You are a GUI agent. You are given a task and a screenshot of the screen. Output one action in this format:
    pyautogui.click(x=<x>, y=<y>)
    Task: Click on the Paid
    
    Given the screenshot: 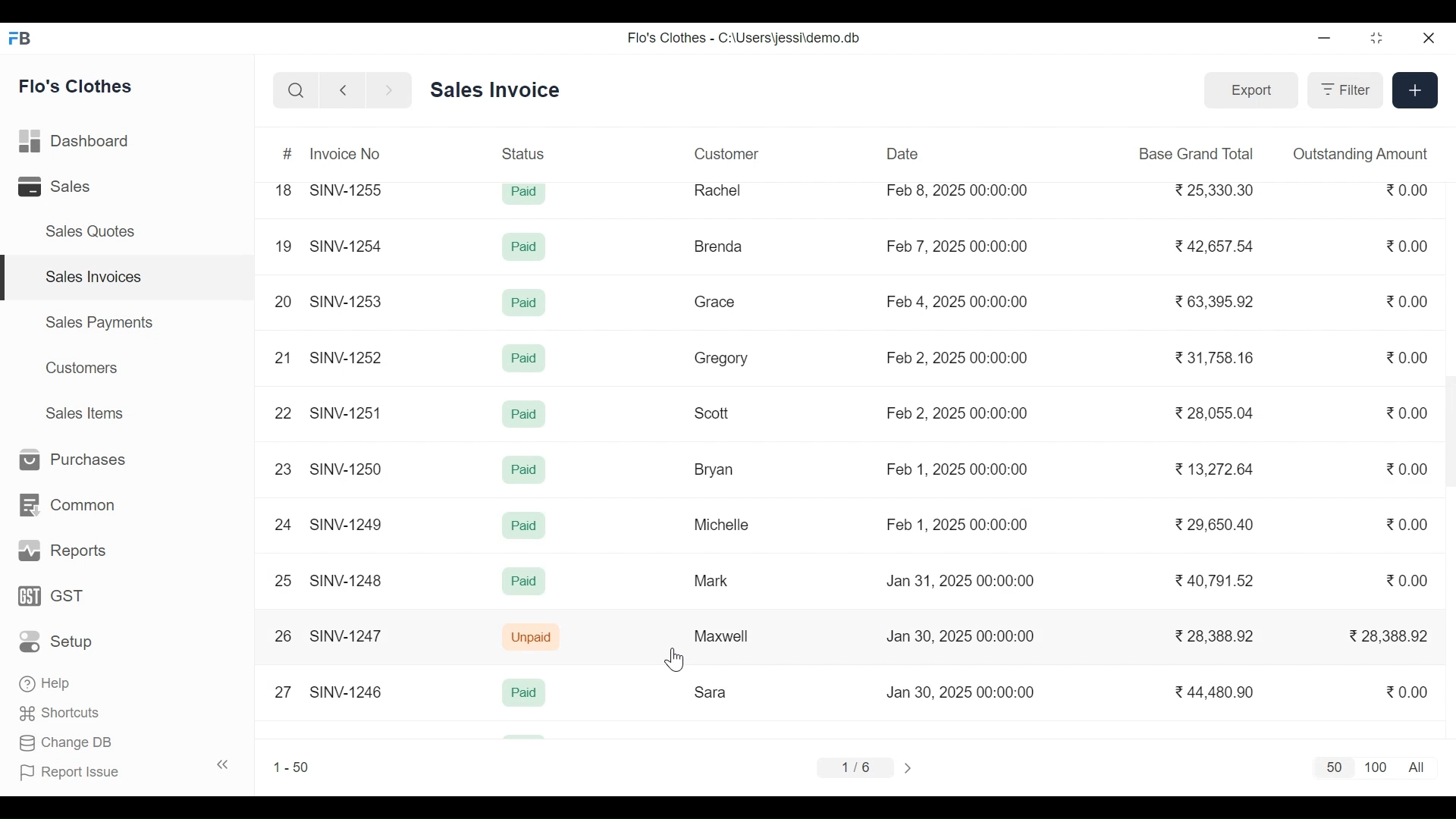 What is the action you would take?
    pyautogui.click(x=523, y=470)
    